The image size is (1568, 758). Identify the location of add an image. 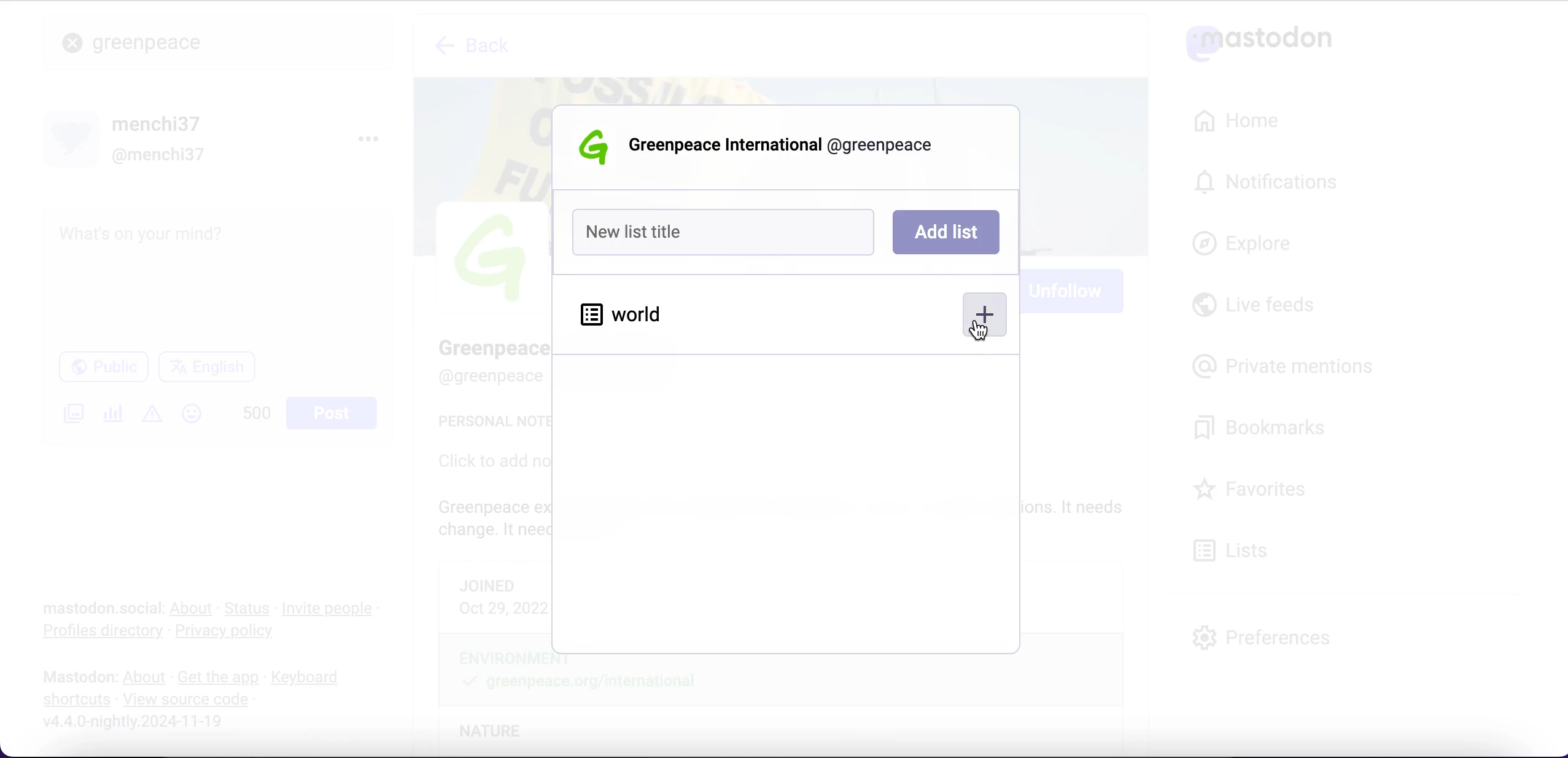
(72, 413).